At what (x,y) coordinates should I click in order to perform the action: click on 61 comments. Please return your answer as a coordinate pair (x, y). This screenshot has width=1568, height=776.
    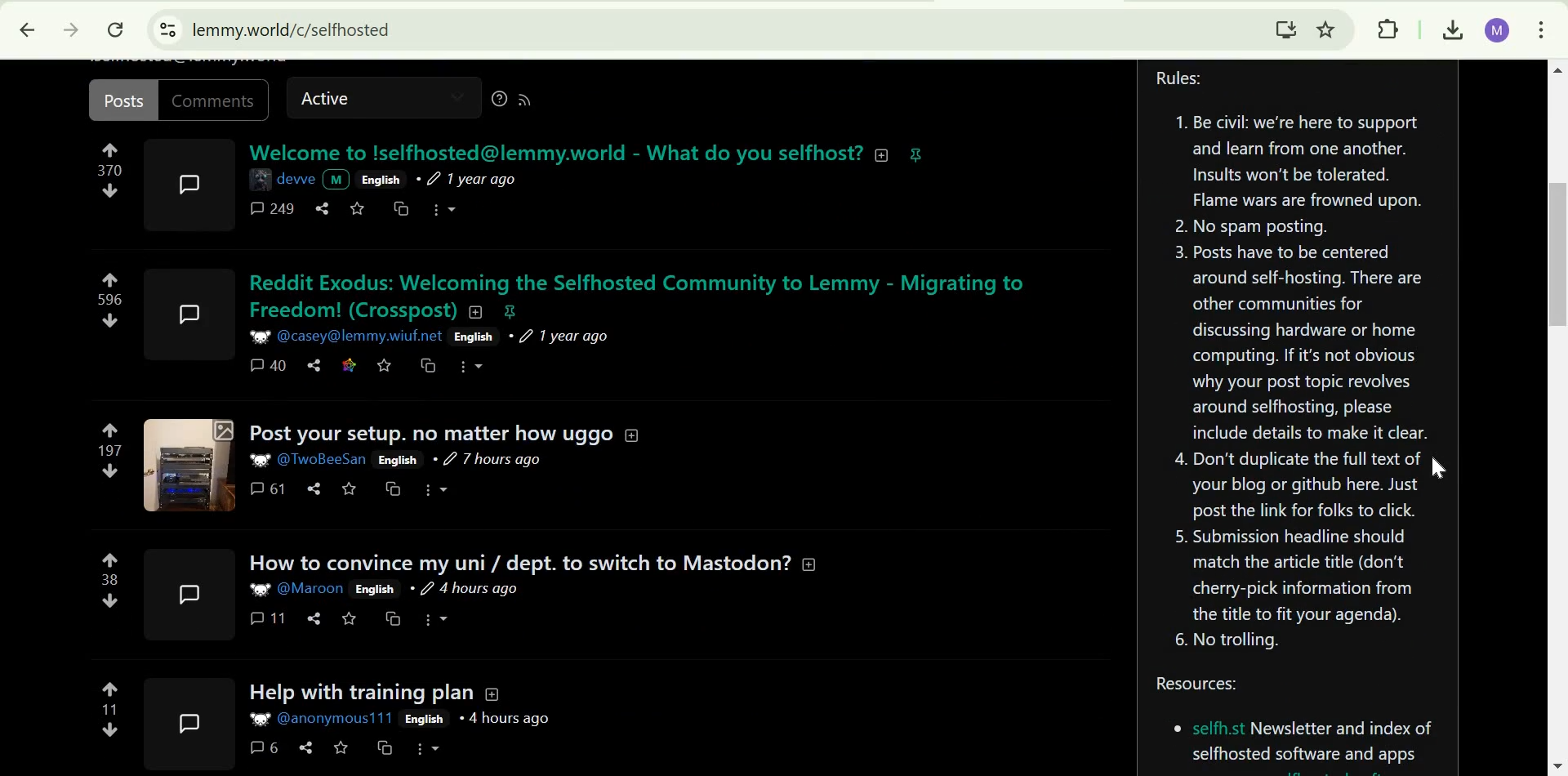
    Looking at the image, I should click on (265, 489).